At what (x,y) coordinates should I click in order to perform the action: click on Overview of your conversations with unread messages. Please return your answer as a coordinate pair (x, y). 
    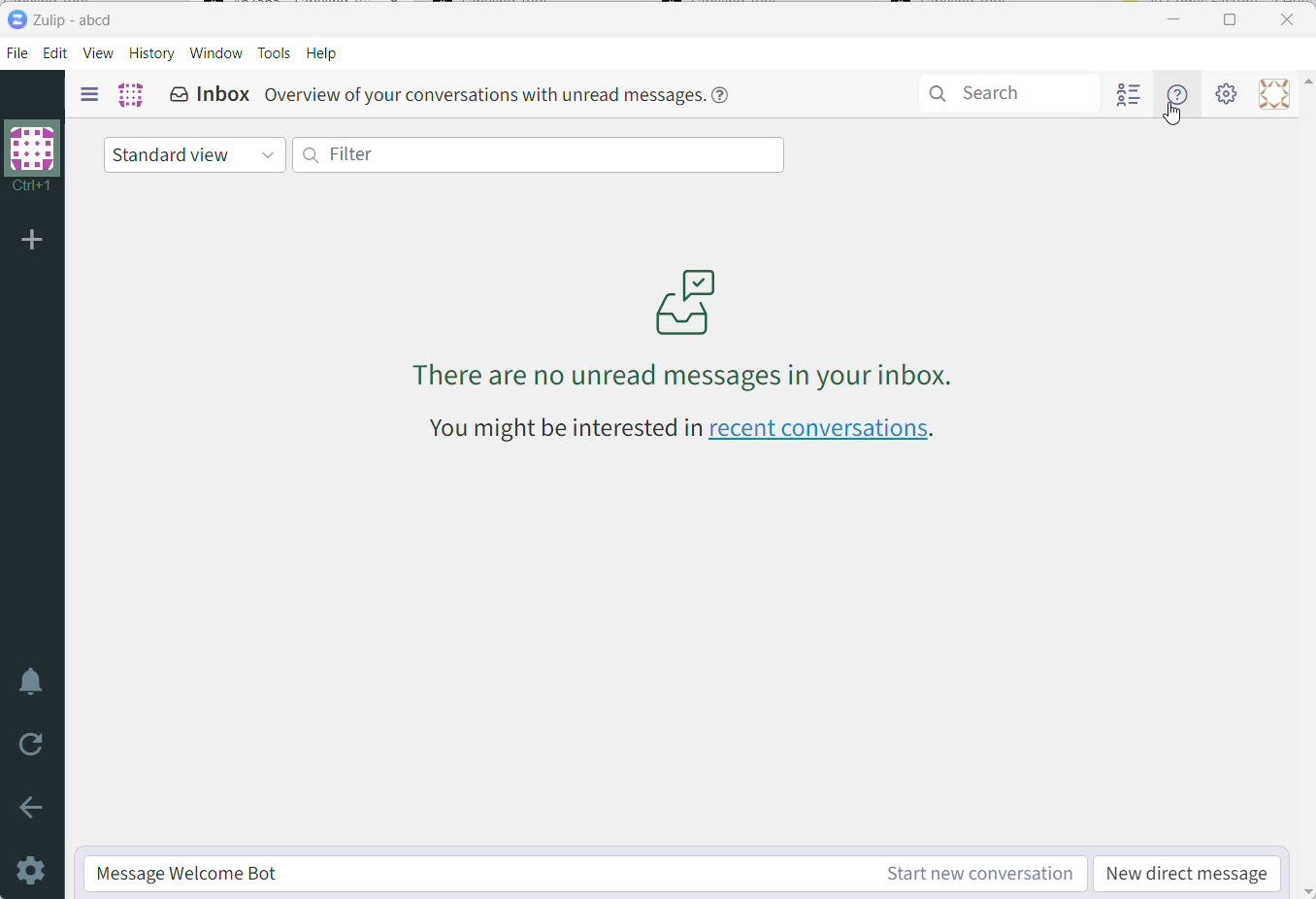
    Looking at the image, I should click on (500, 97).